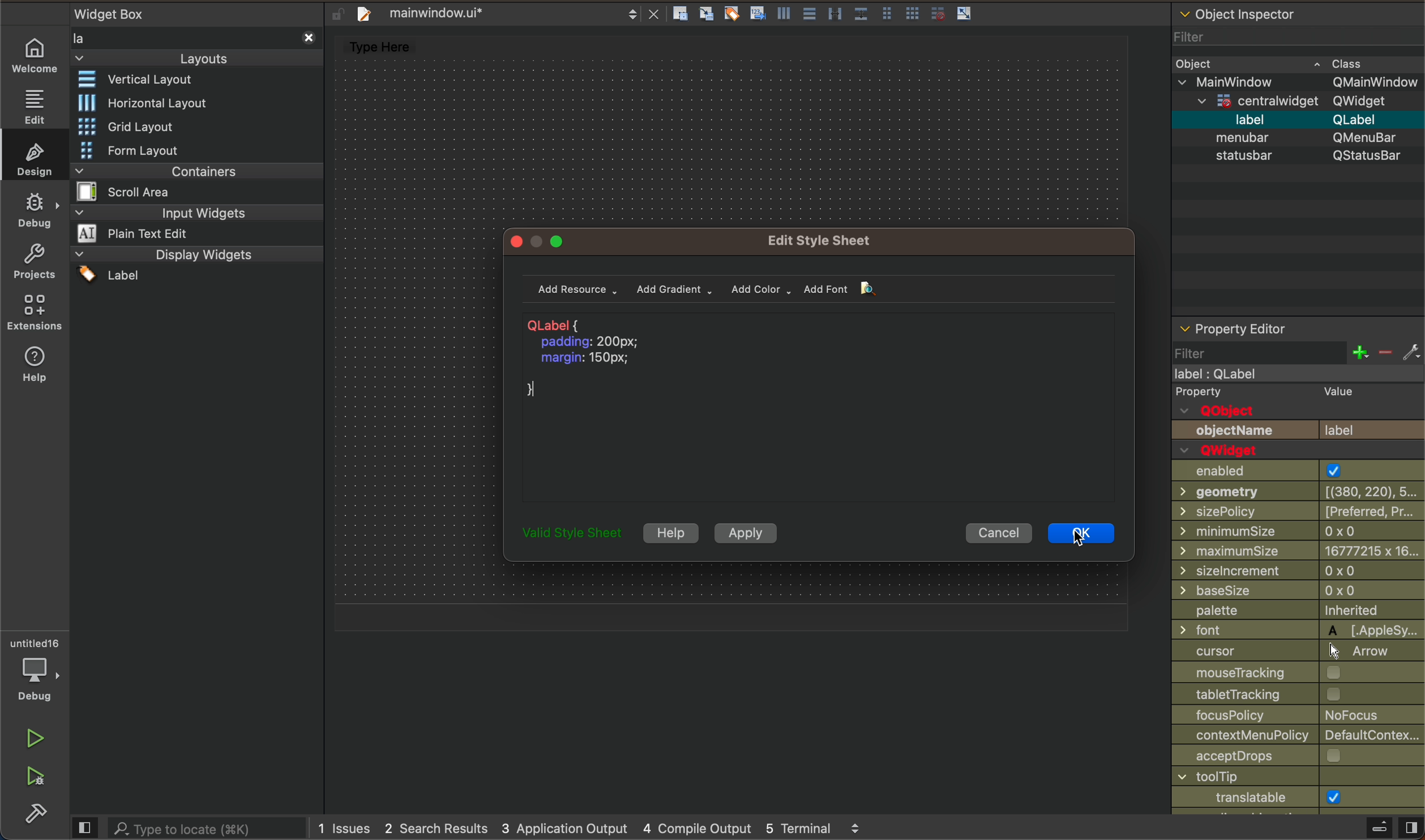 Image resolution: width=1425 pixels, height=840 pixels. What do you see at coordinates (1299, 696) in the screenshot?
I see `tablet` at bounding box center [1299, 696].